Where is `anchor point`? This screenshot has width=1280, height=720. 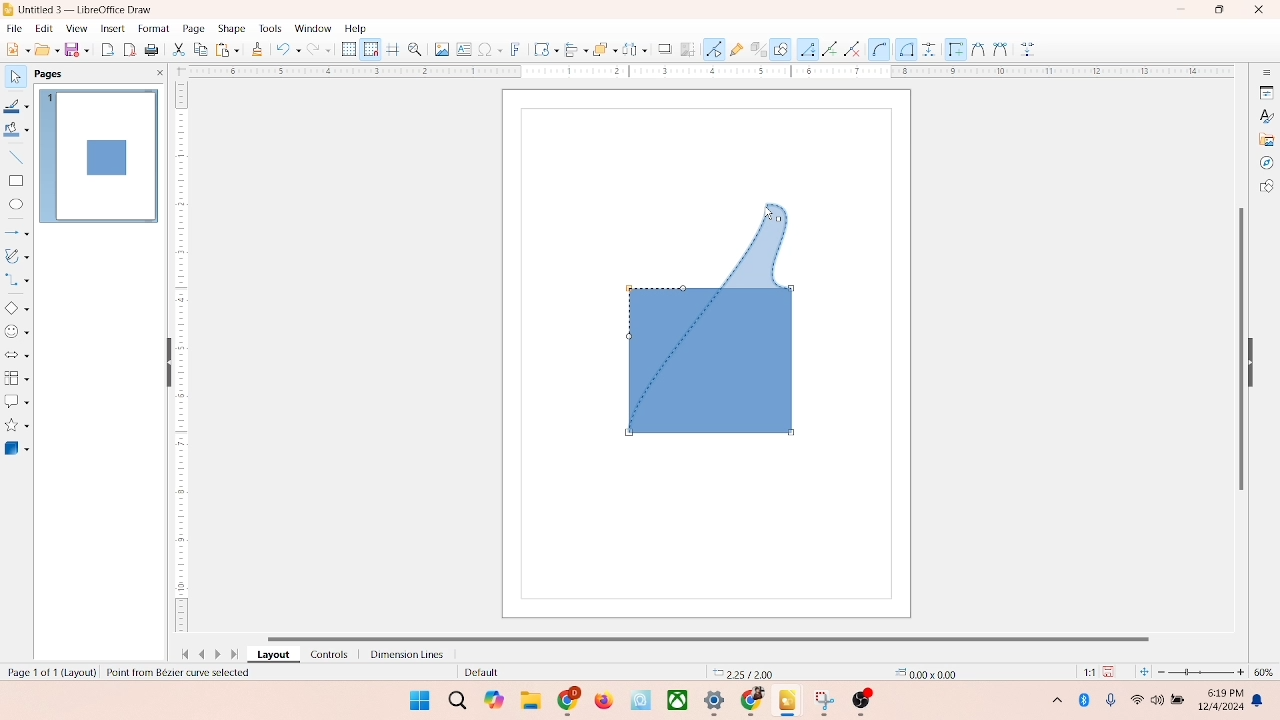
anchor point is located at coordinates (920, 671).